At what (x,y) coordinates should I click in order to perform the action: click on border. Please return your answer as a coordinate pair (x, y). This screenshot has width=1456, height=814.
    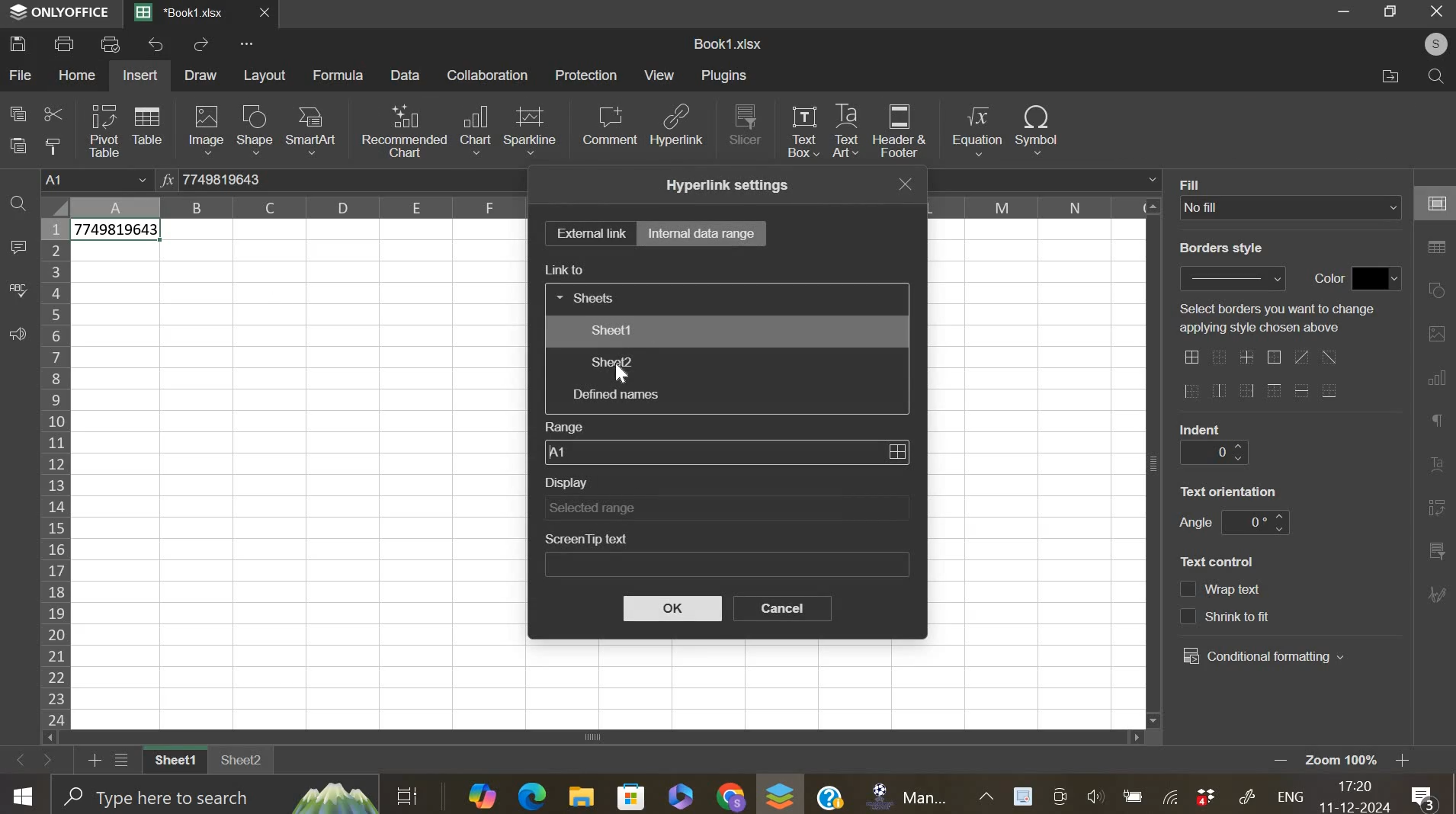
    Looking at the image, I should click on (1259, 376).